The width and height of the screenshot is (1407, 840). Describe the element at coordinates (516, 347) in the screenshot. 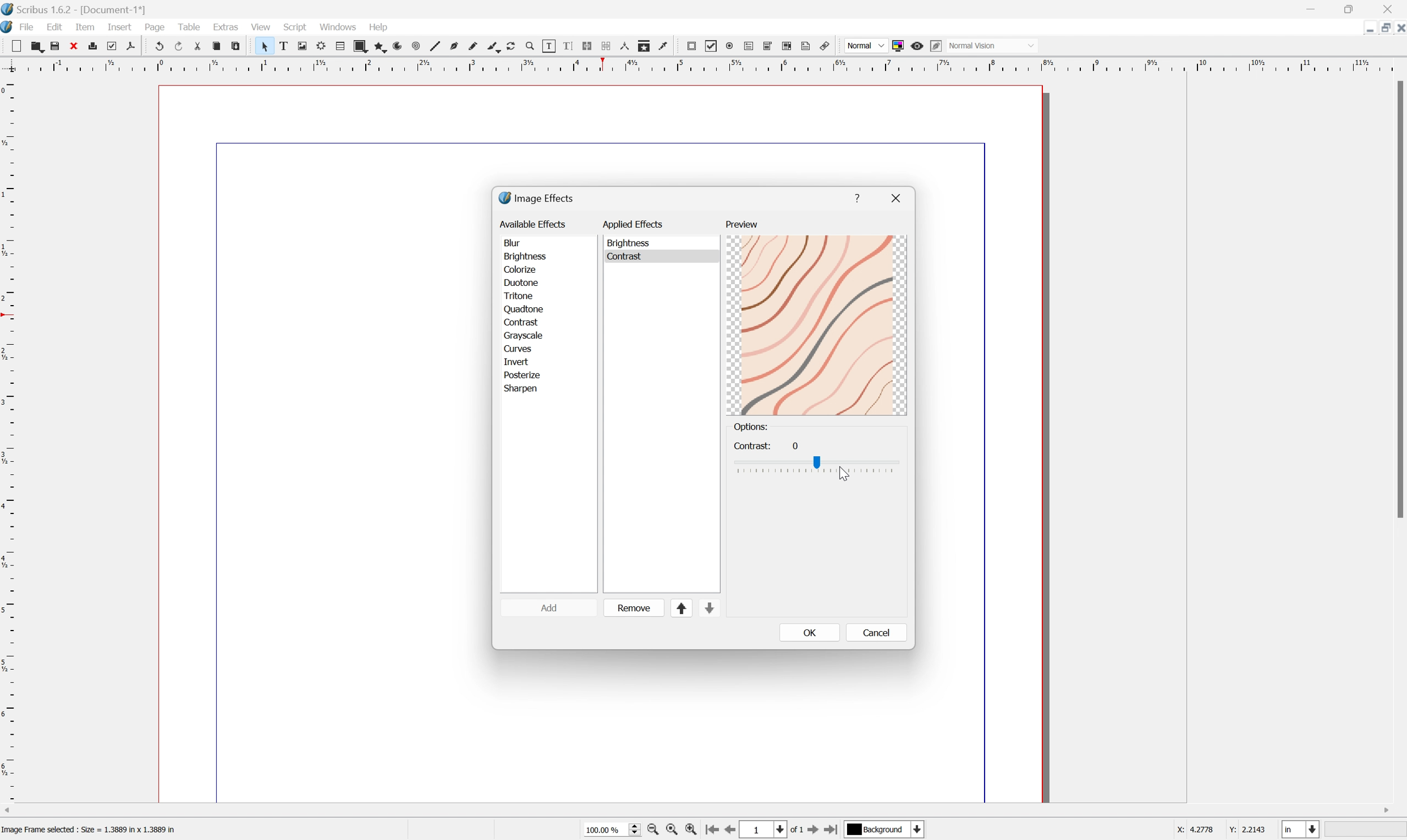

I see `curves` at that location.